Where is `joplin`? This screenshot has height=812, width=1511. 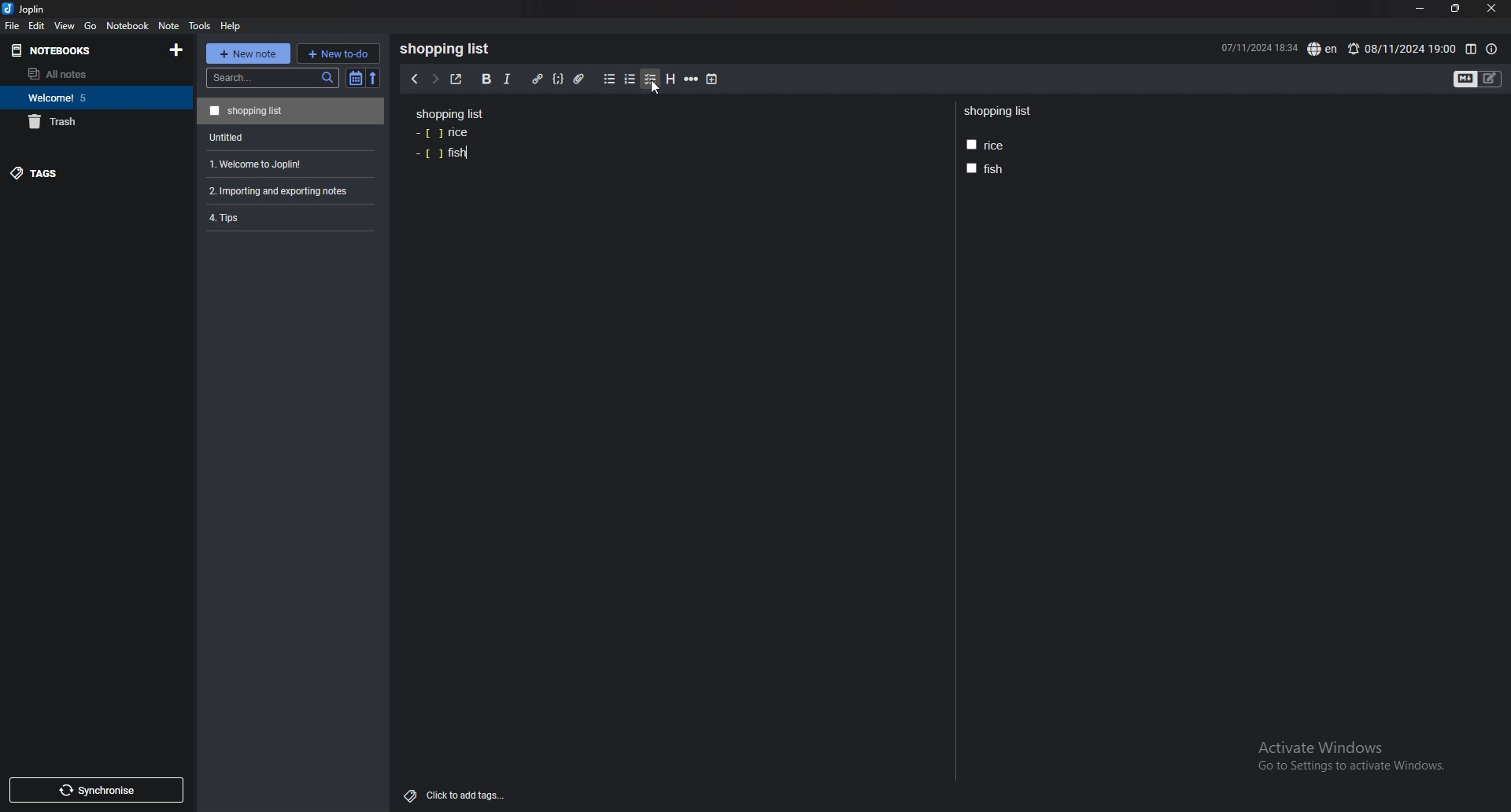
joplin is located at coordinates (27, 9).